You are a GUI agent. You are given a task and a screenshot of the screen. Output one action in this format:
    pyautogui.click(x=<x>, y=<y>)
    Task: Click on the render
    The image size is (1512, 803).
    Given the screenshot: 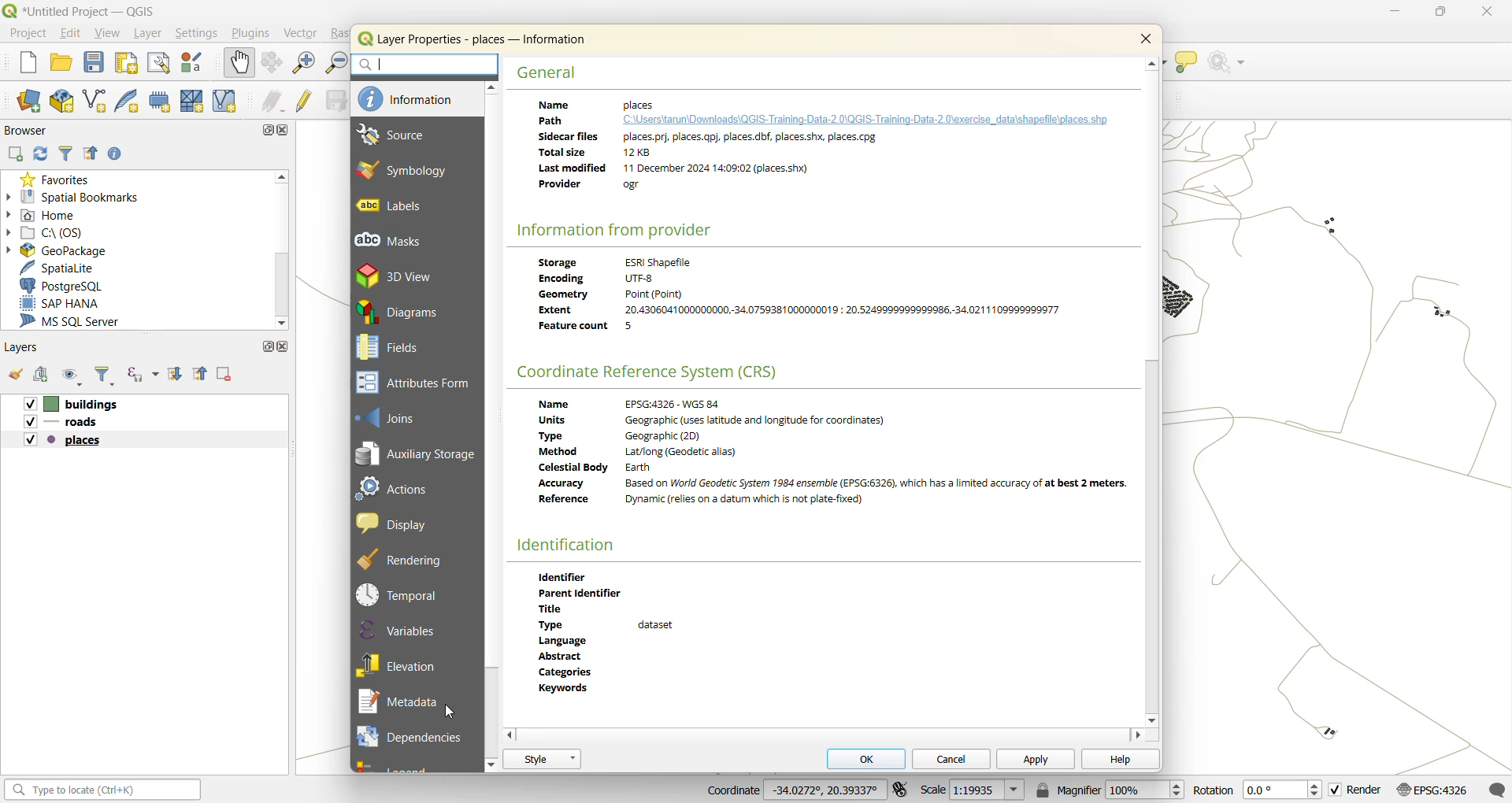 What is the action you would take?
    pyautogui.click(x=1355, y=790)
    